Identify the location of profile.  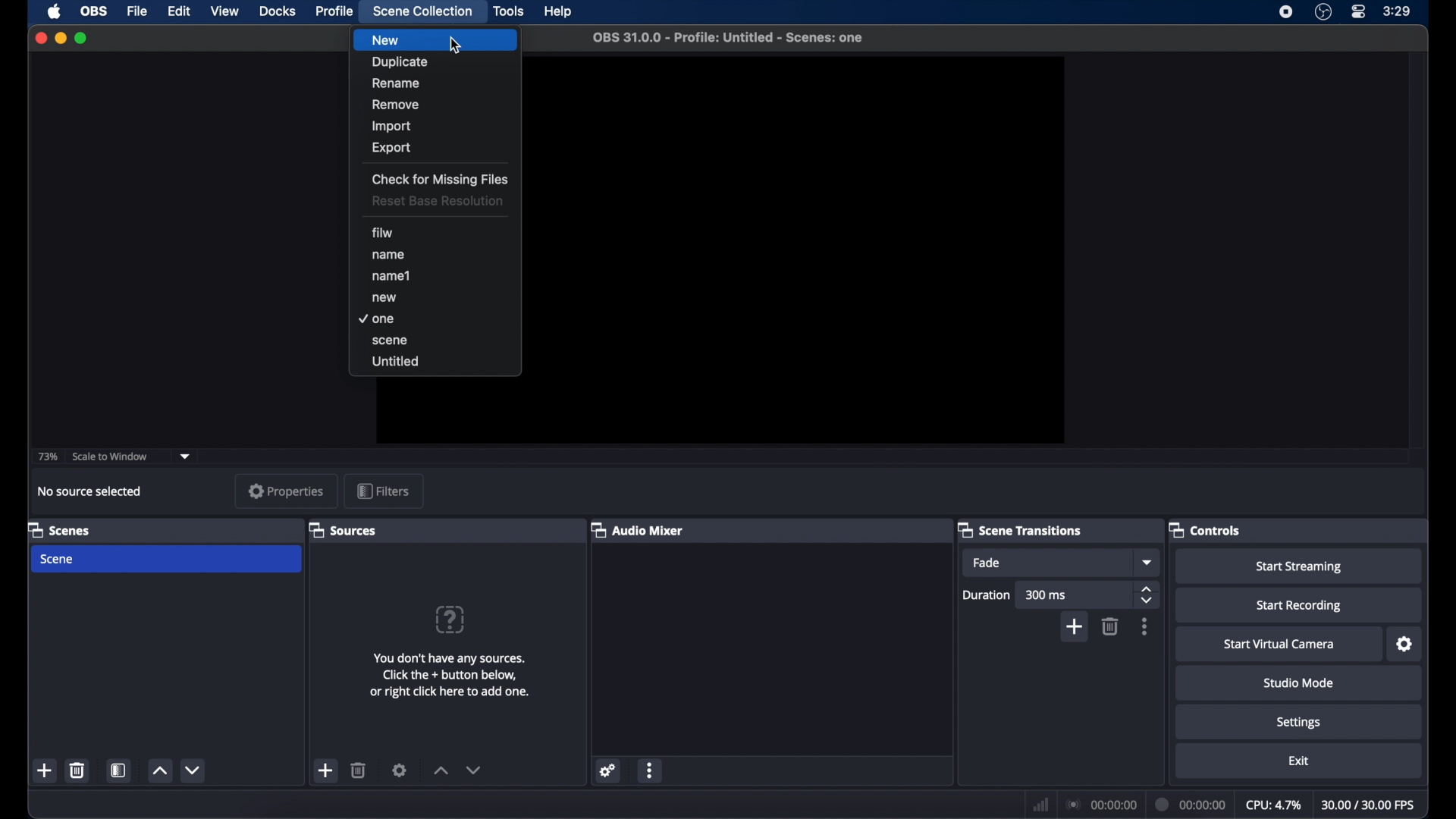
(335, 11).